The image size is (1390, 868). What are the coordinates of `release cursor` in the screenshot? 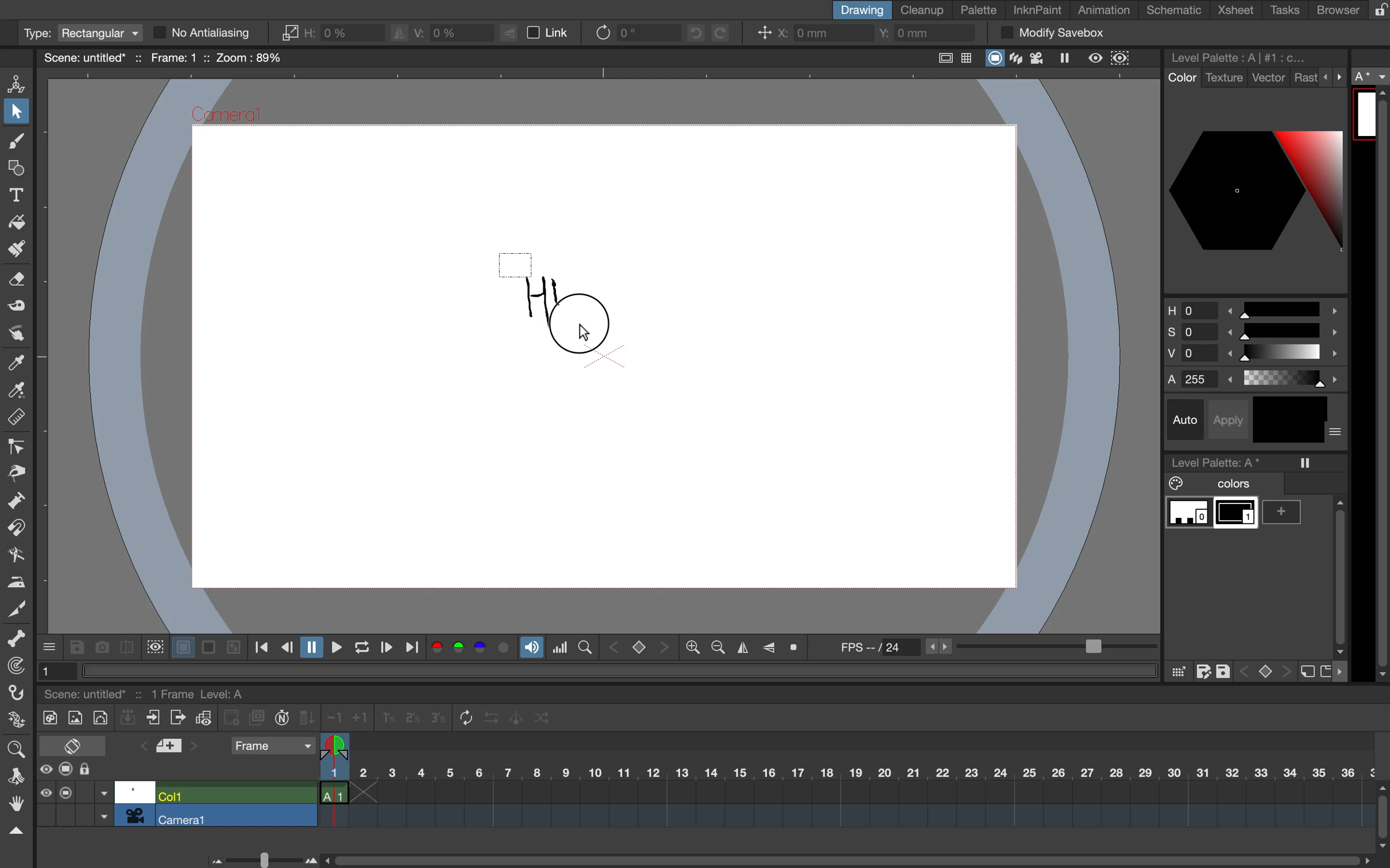 It's located at (586, 333).